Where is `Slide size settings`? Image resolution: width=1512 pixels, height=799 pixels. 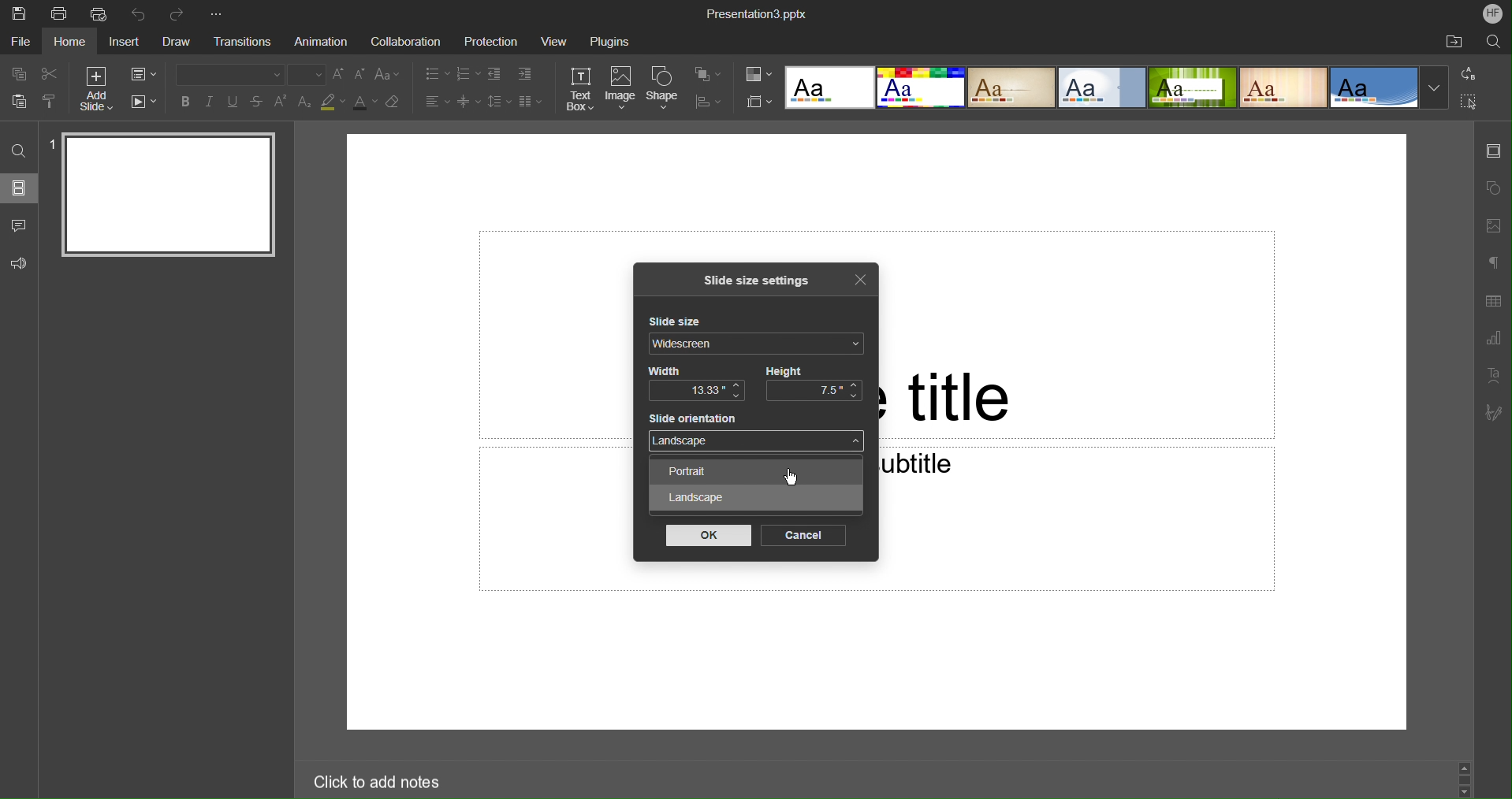 Slide size settings is located at coordinates (762, 281).